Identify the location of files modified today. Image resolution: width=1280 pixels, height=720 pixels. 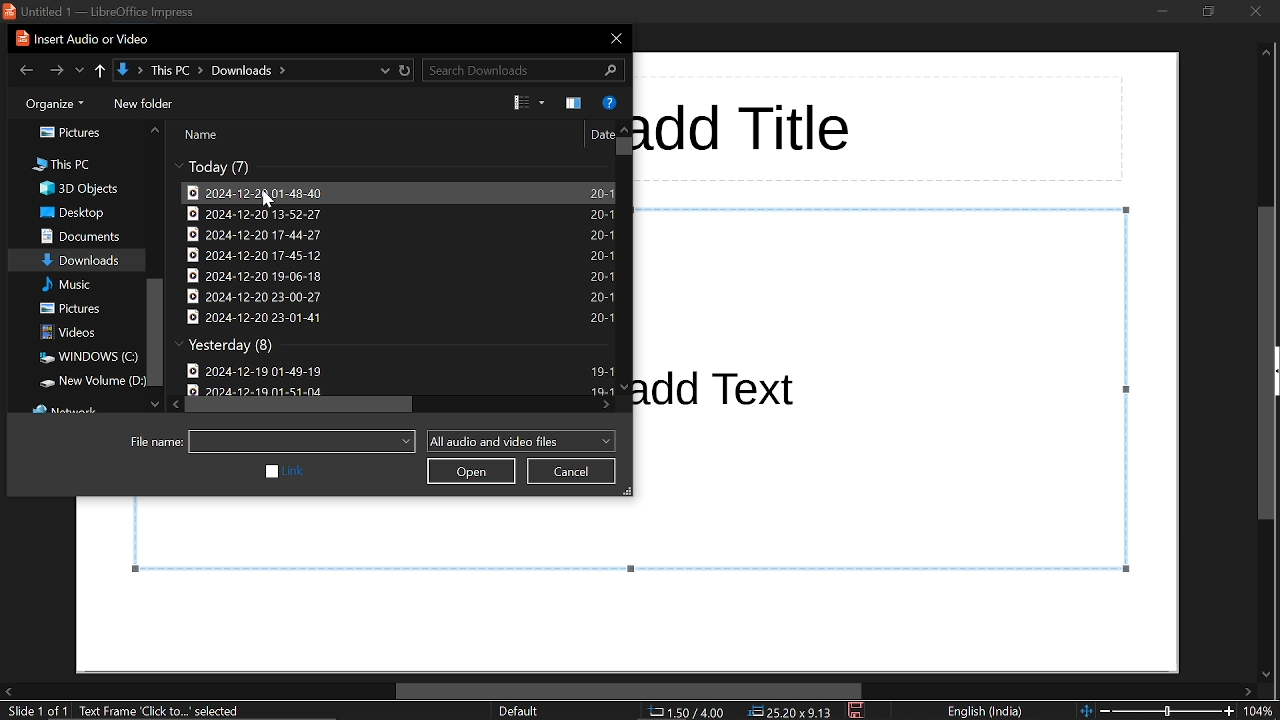
(219, 167).